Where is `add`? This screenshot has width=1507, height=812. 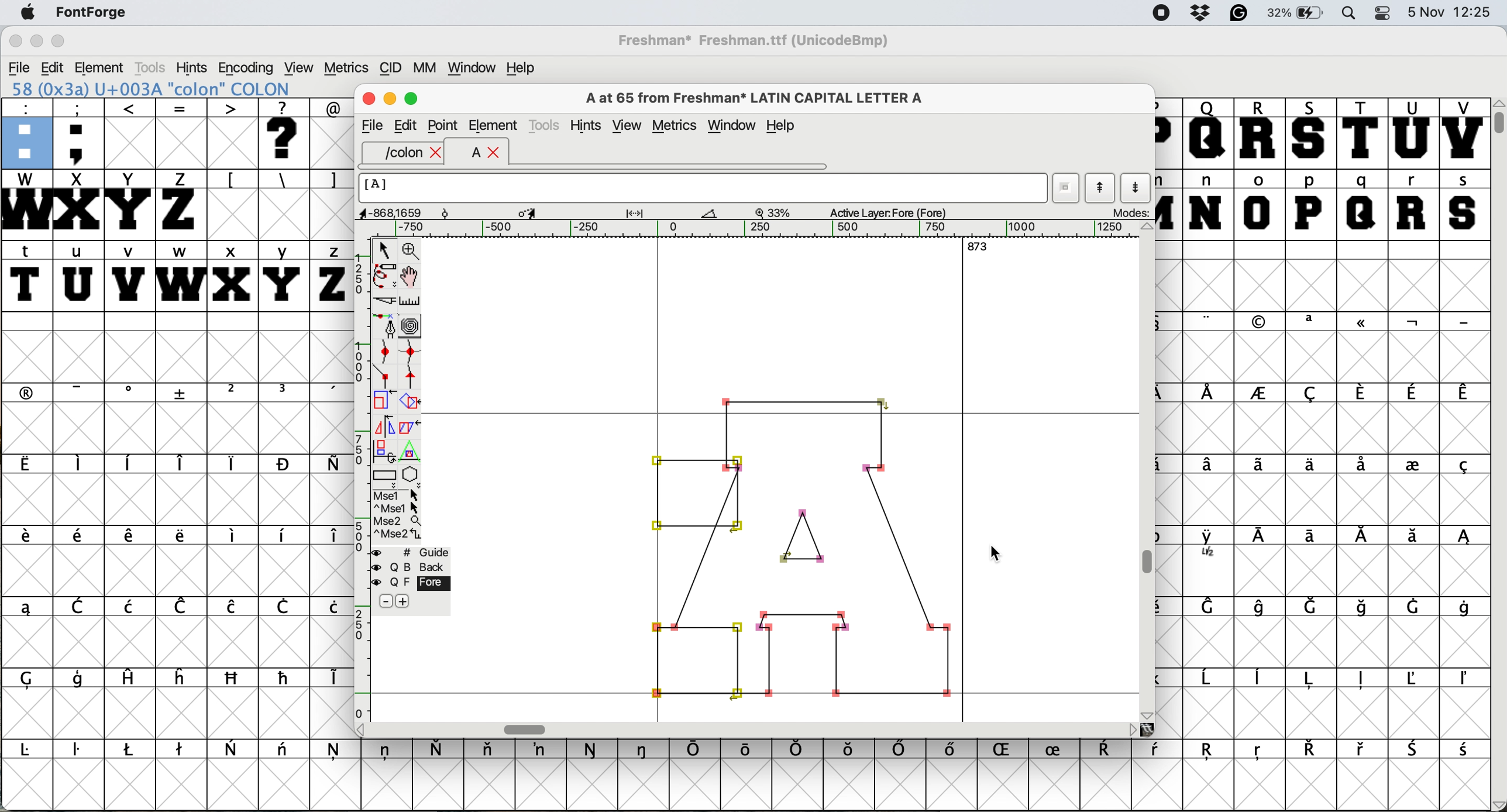 add is located at coordinates (410, 602).